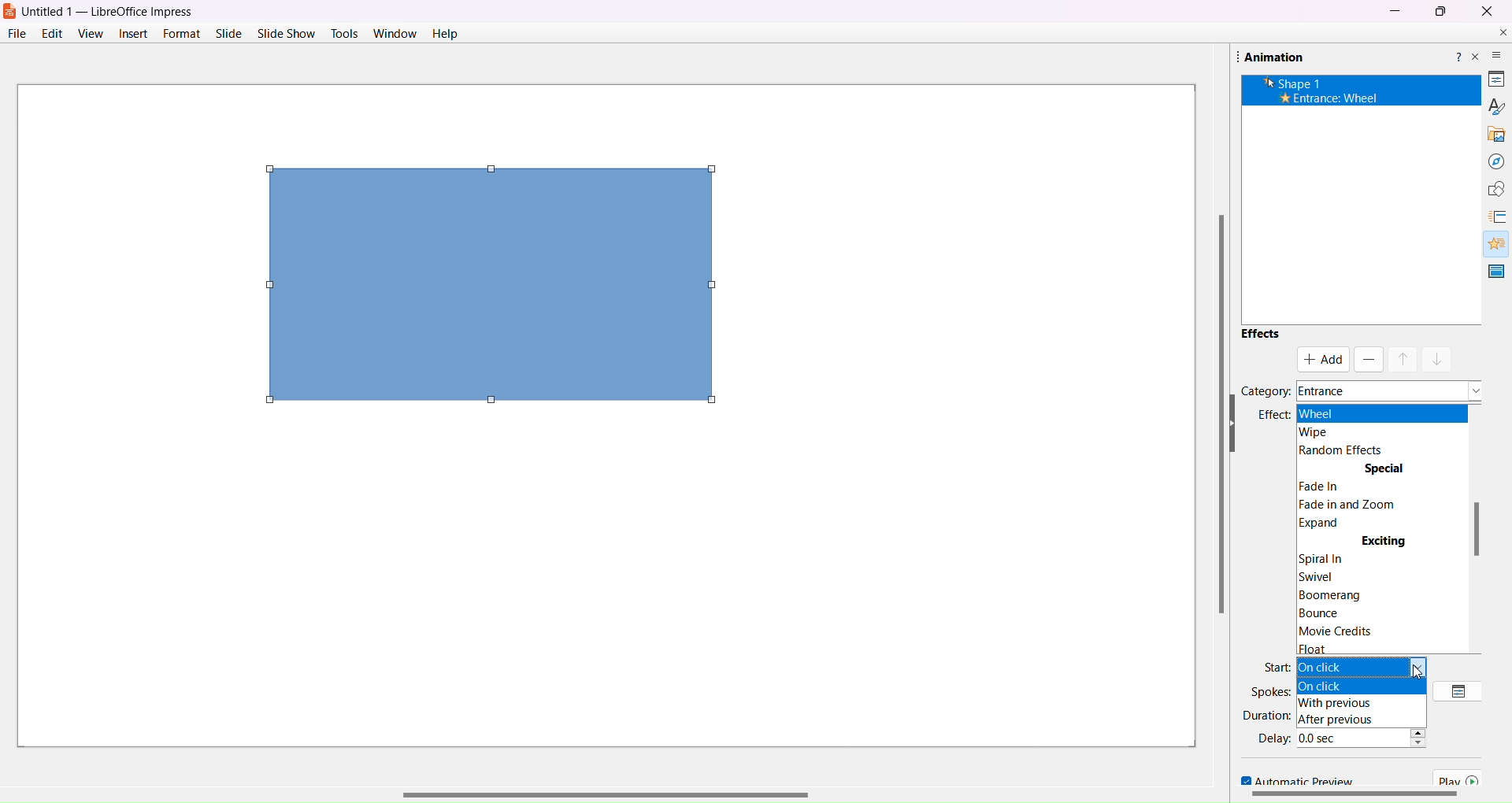 Image resolution: width=1512 pixels, height=803 pixels. What do you see at coordinates (345, 32) in the screenshot?
I see `Tools` at bounding box center [345, 32].